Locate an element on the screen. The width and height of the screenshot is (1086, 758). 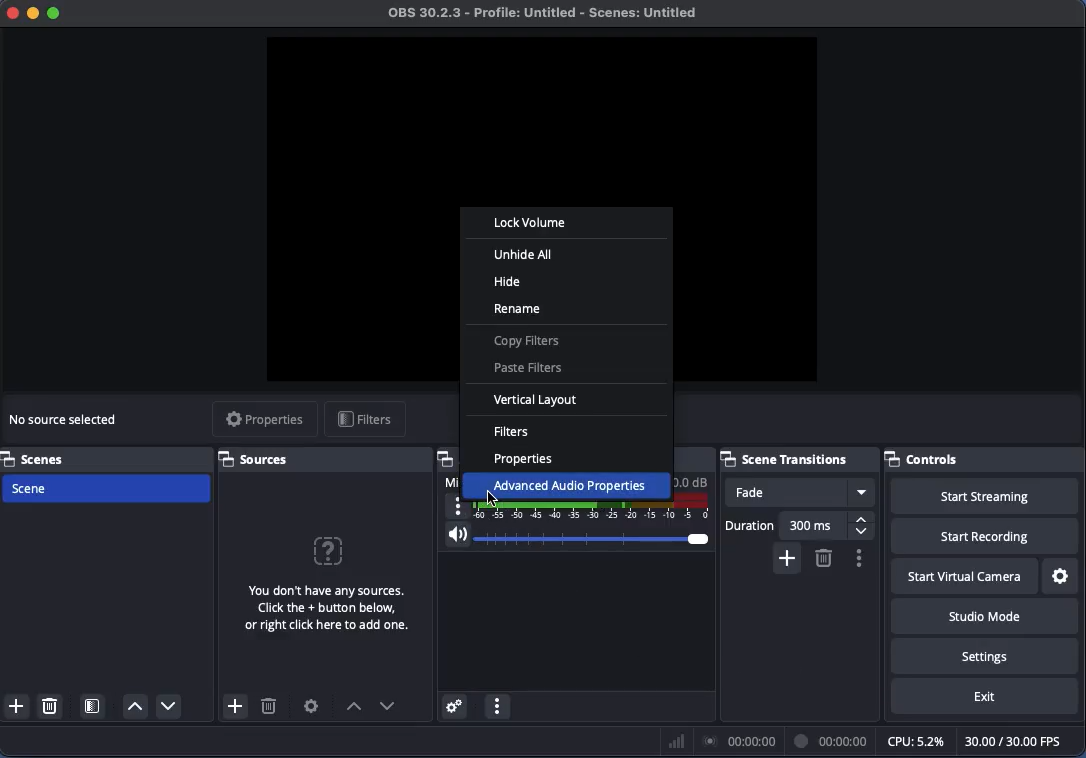
Delete is located at coordinates (269, 709).